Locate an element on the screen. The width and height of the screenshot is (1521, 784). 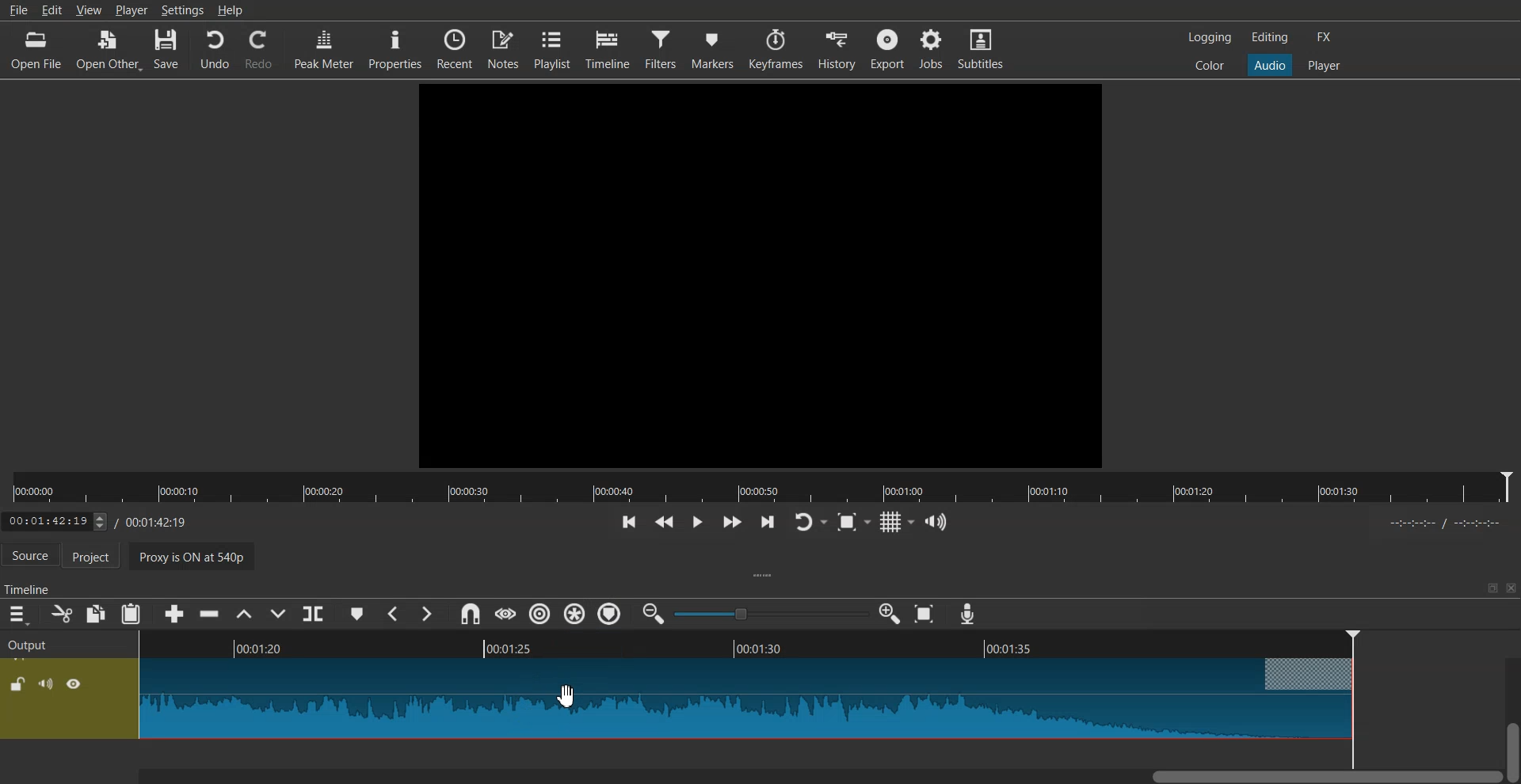
Toggle adjuster is located at coordinates (771, 613).